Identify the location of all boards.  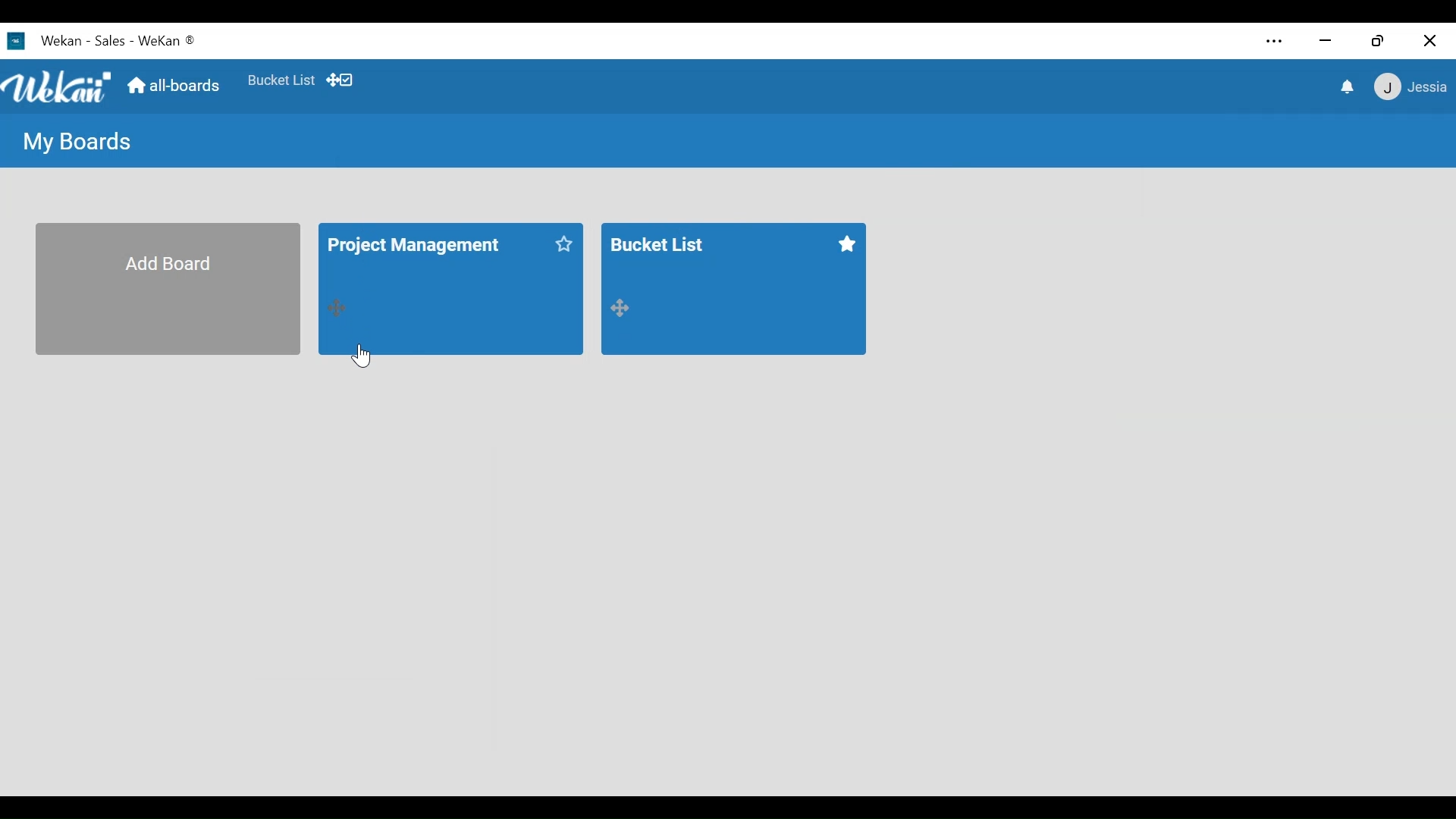
(175, 85).